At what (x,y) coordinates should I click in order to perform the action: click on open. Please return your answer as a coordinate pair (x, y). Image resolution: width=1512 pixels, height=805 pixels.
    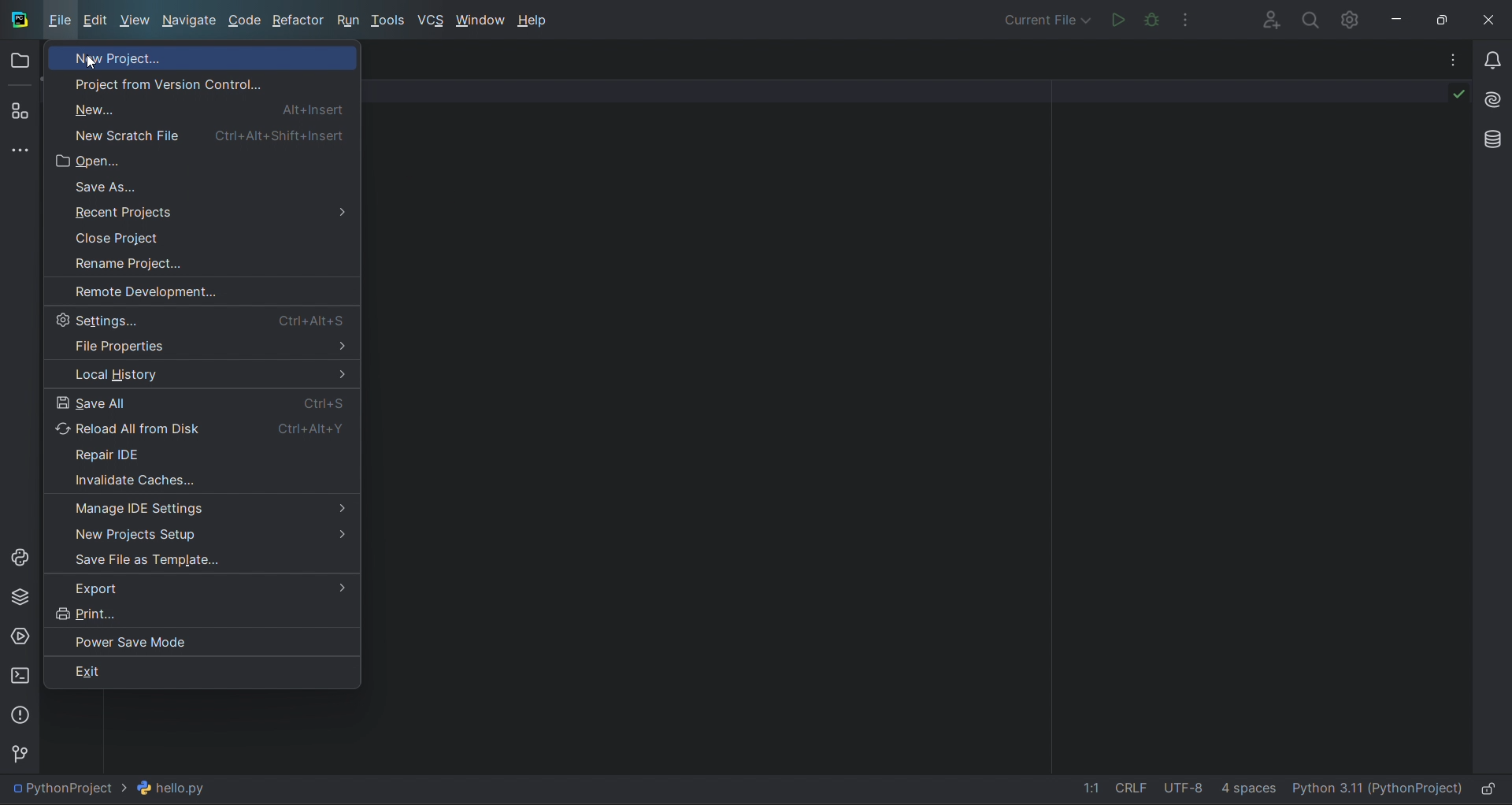
    Looking at the image, I should click on (202, 158).